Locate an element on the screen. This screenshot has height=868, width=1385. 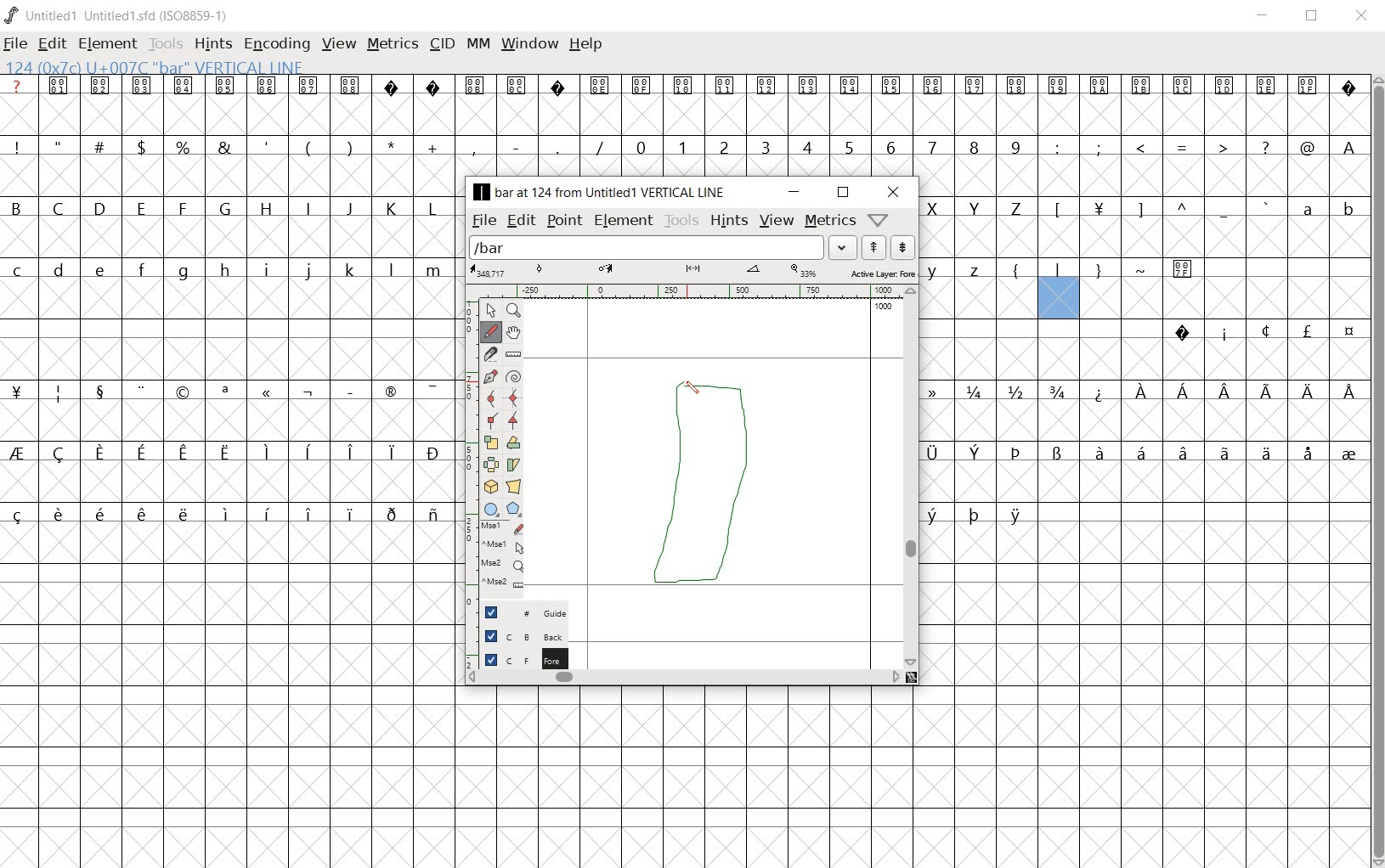
close is located at coordinates (1363, 17).